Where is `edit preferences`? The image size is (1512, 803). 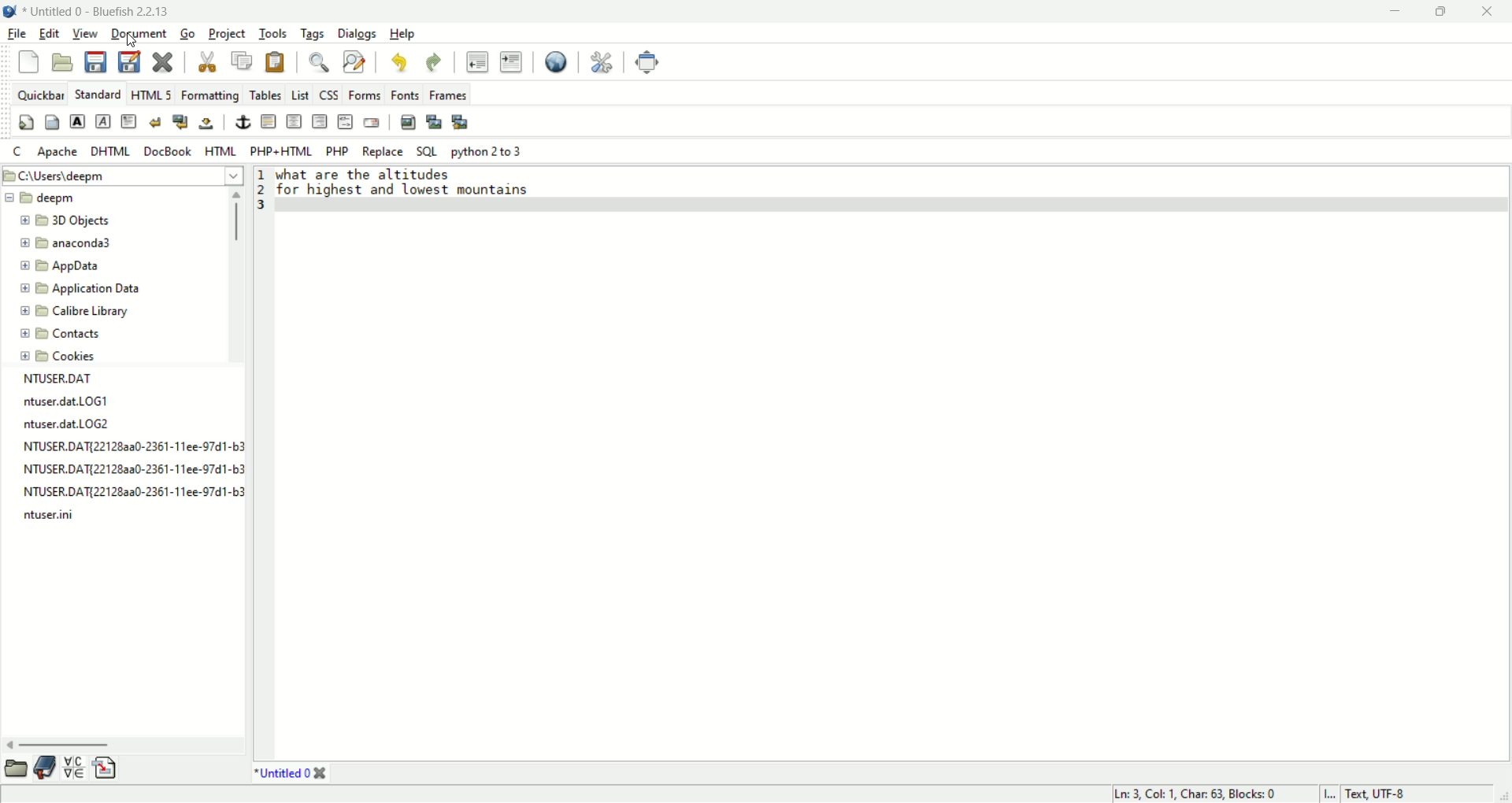
edit preferences is located at coordinates (599, 61).